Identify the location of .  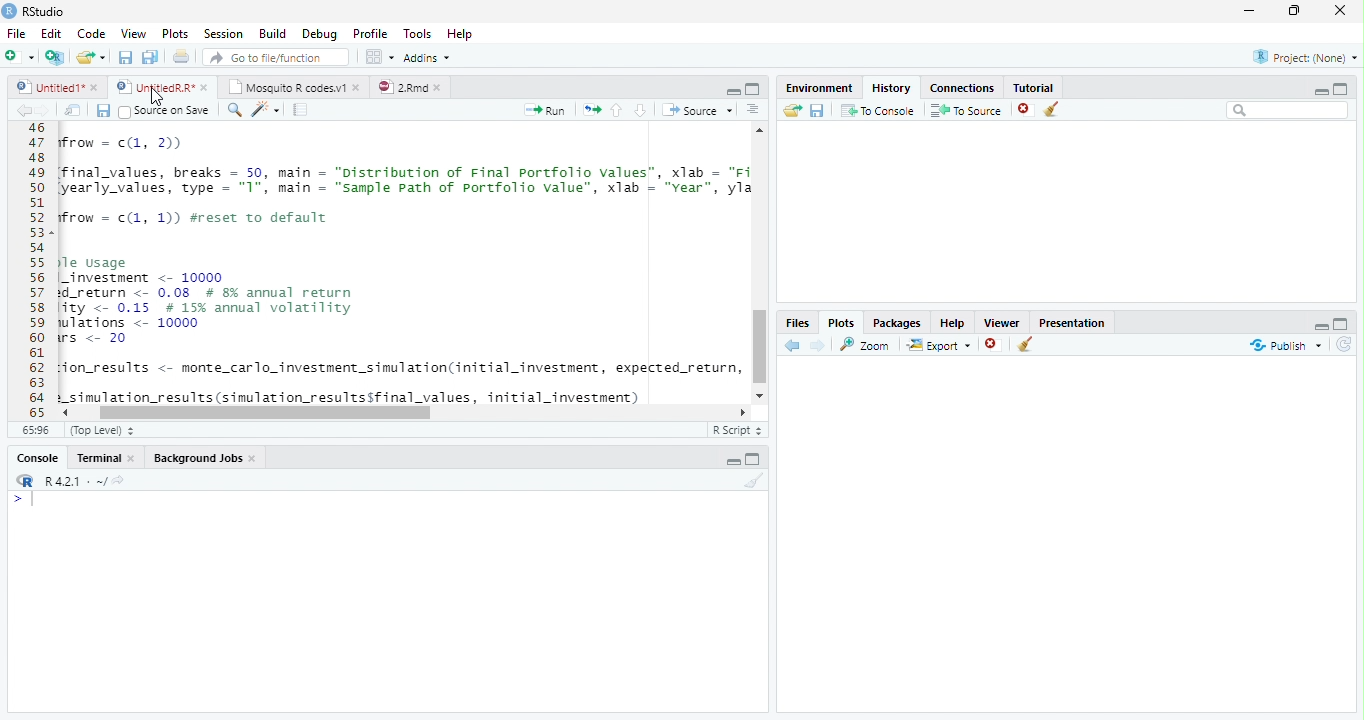
(732, 89).